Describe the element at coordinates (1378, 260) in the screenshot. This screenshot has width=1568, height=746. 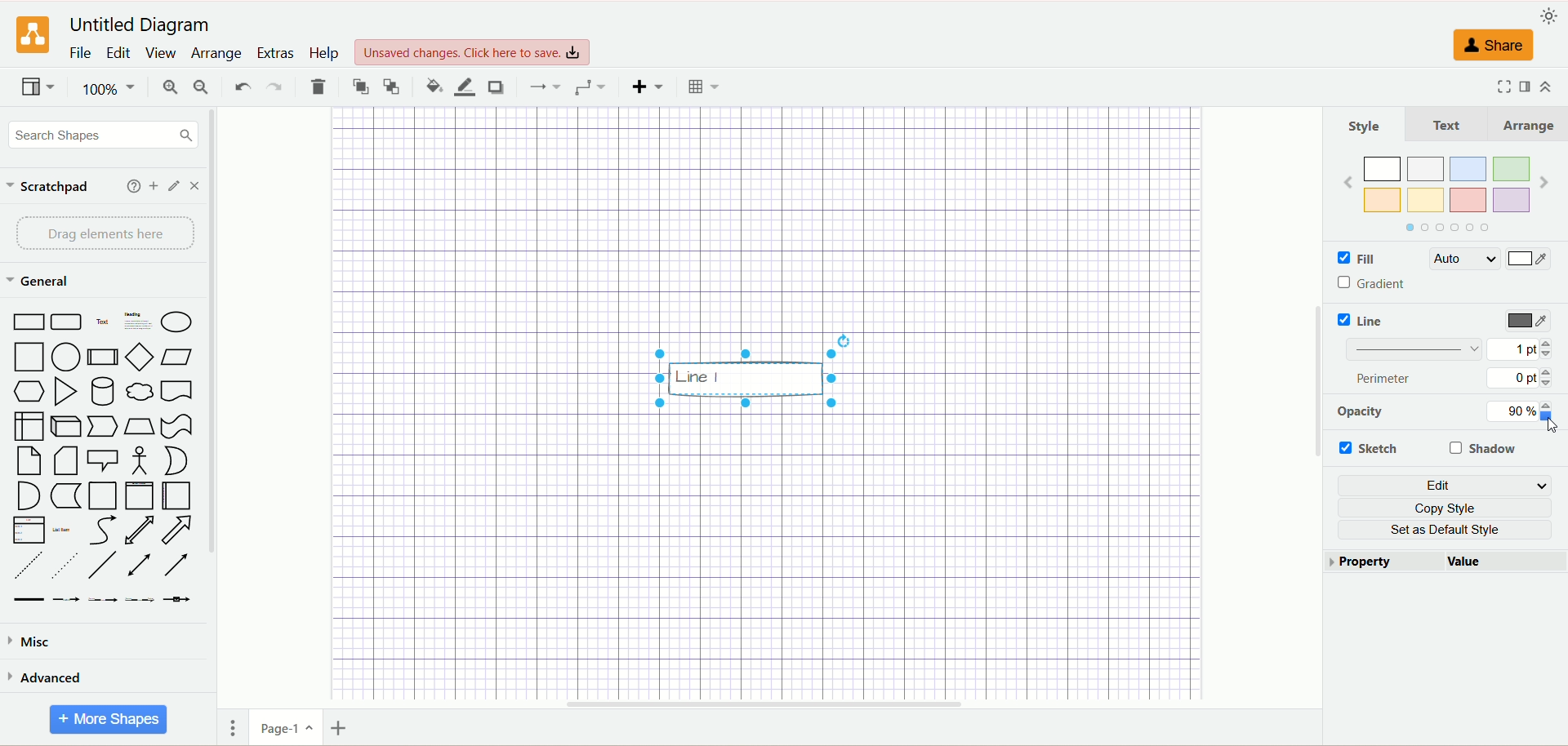
I see `Fille` at that location.